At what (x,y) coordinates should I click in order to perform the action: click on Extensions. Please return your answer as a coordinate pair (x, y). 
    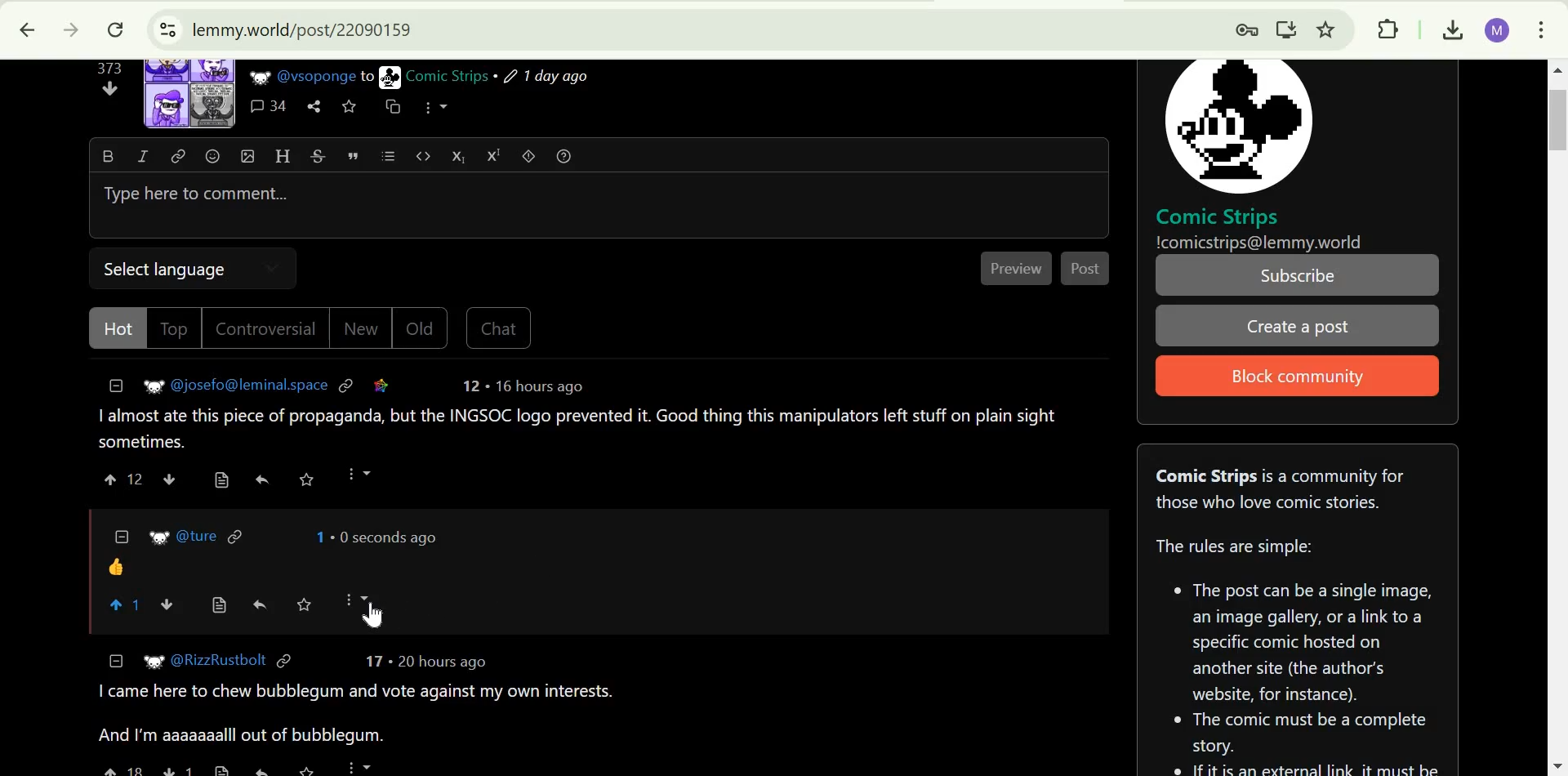
    Looking at the image, I should click on (1388, 29).